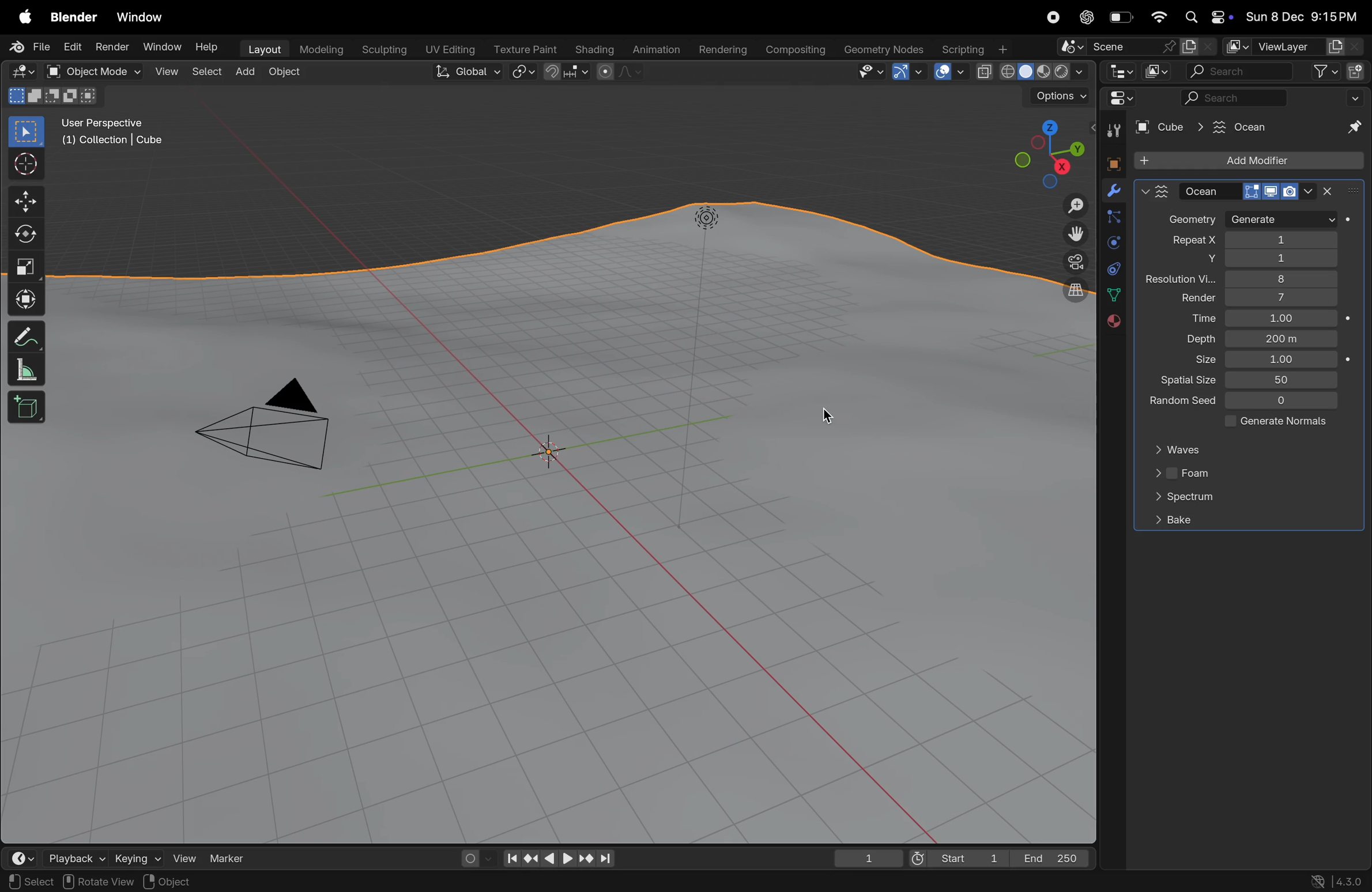 The width and height of the screenshot is (1372, 892). I want to click on help, so click(209, 50).